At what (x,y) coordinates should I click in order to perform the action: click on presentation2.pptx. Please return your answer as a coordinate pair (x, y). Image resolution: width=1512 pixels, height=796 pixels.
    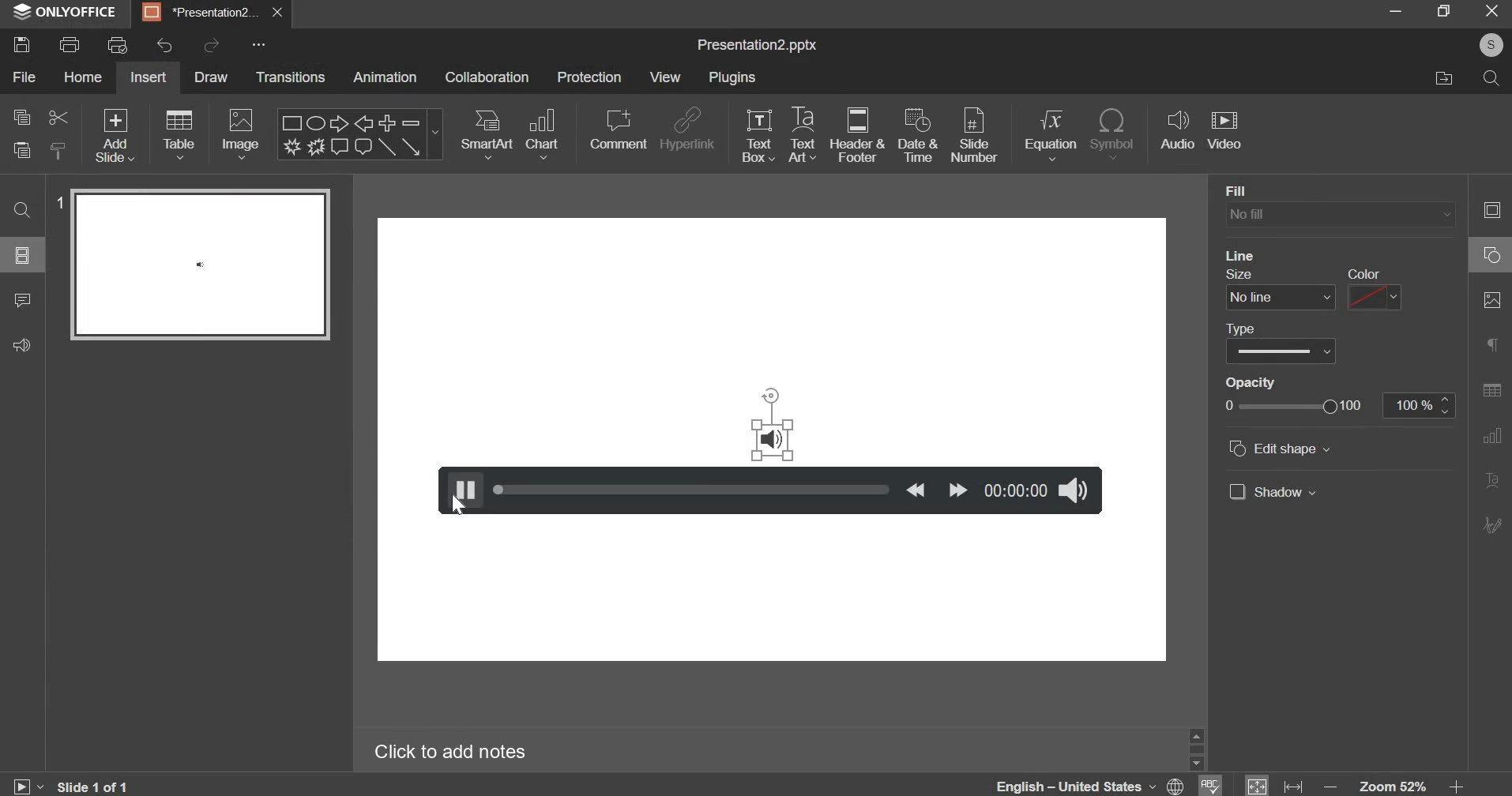
    Looking at the image, I should click on (763, 46).